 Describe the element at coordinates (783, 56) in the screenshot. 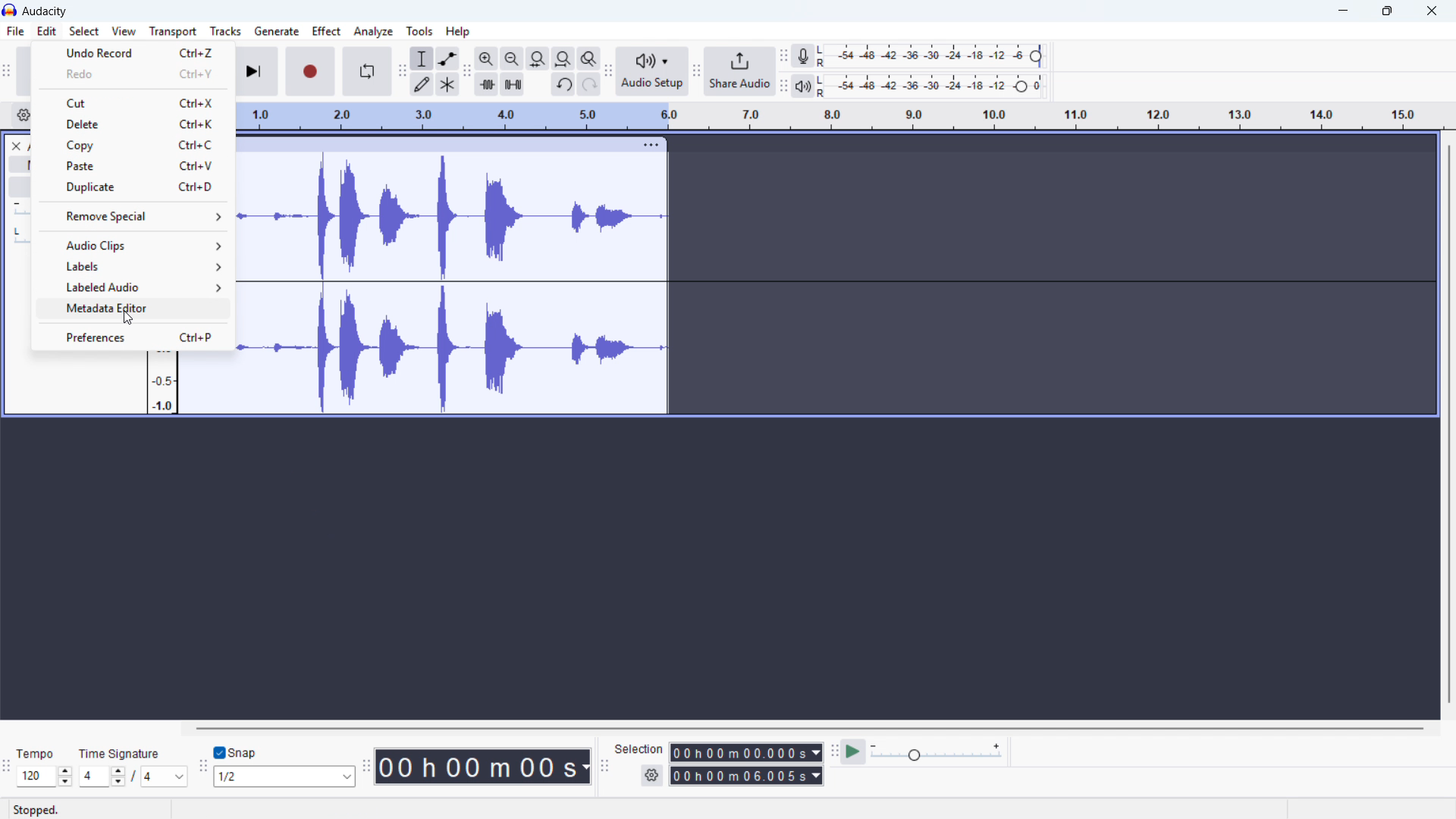

I see `recording meter toolbar` at that location.